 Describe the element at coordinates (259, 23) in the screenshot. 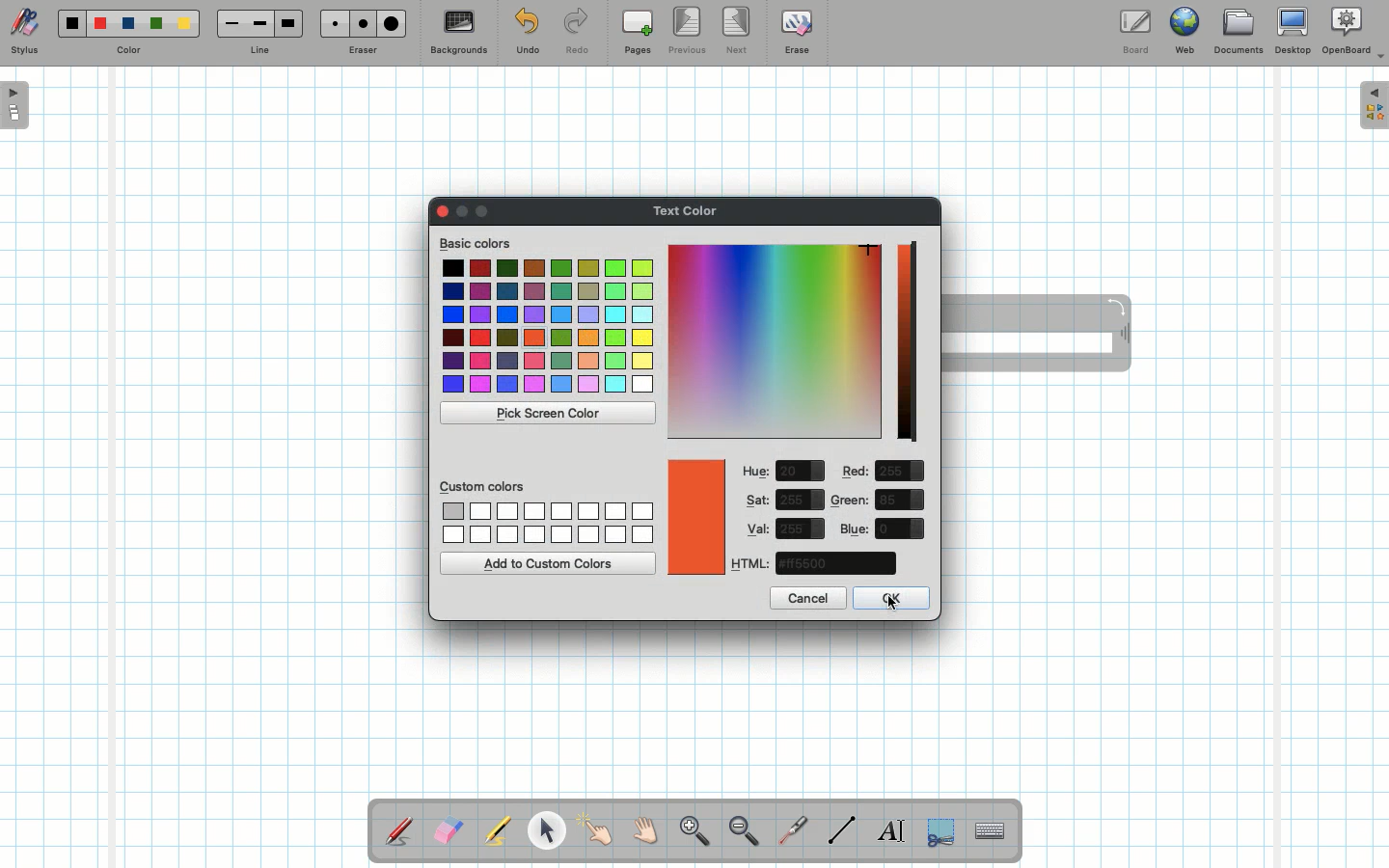

I see `Medium line` at that location.